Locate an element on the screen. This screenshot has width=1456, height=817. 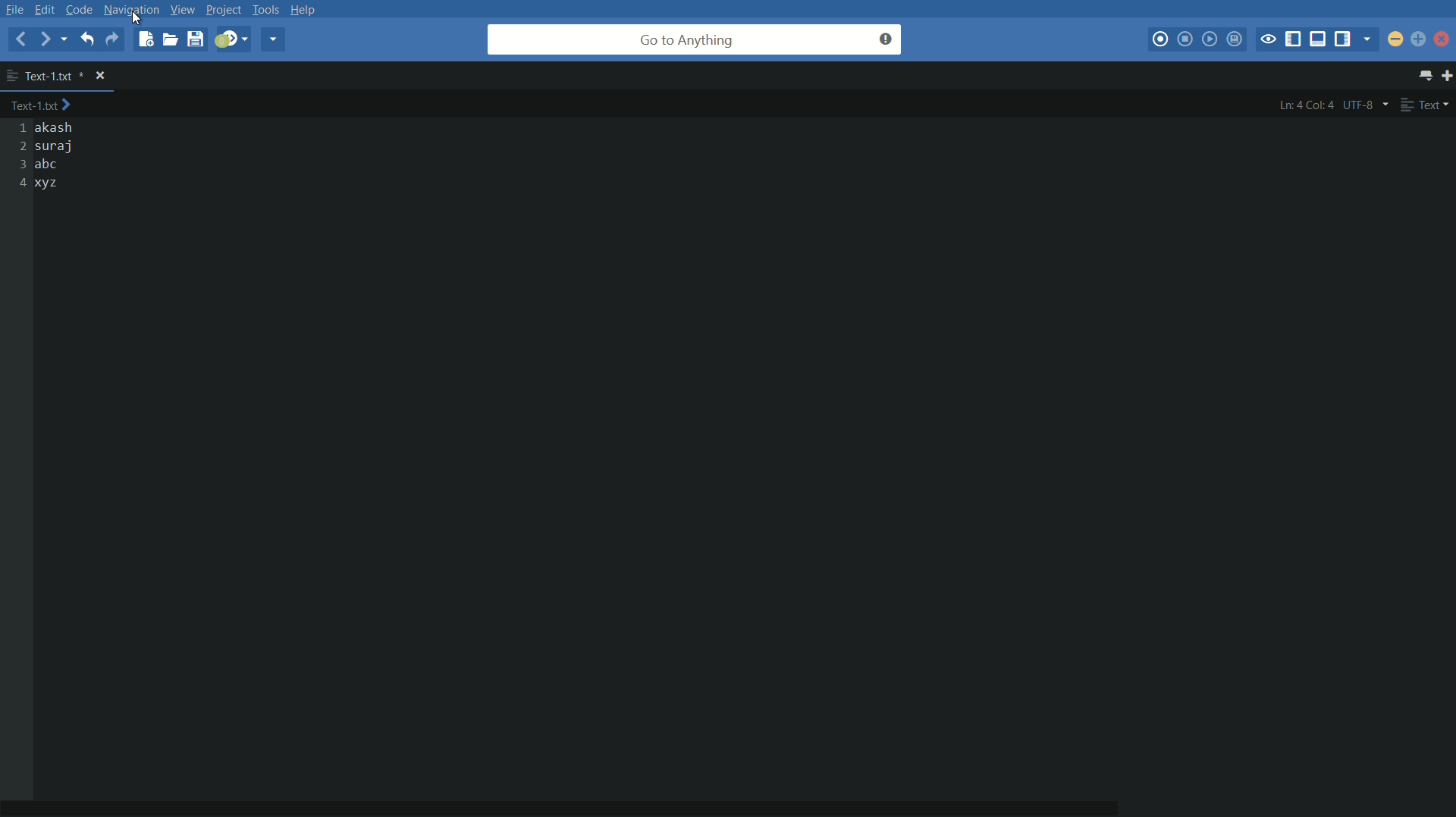
show/hide right panel is located at coordinates (1345, 39).